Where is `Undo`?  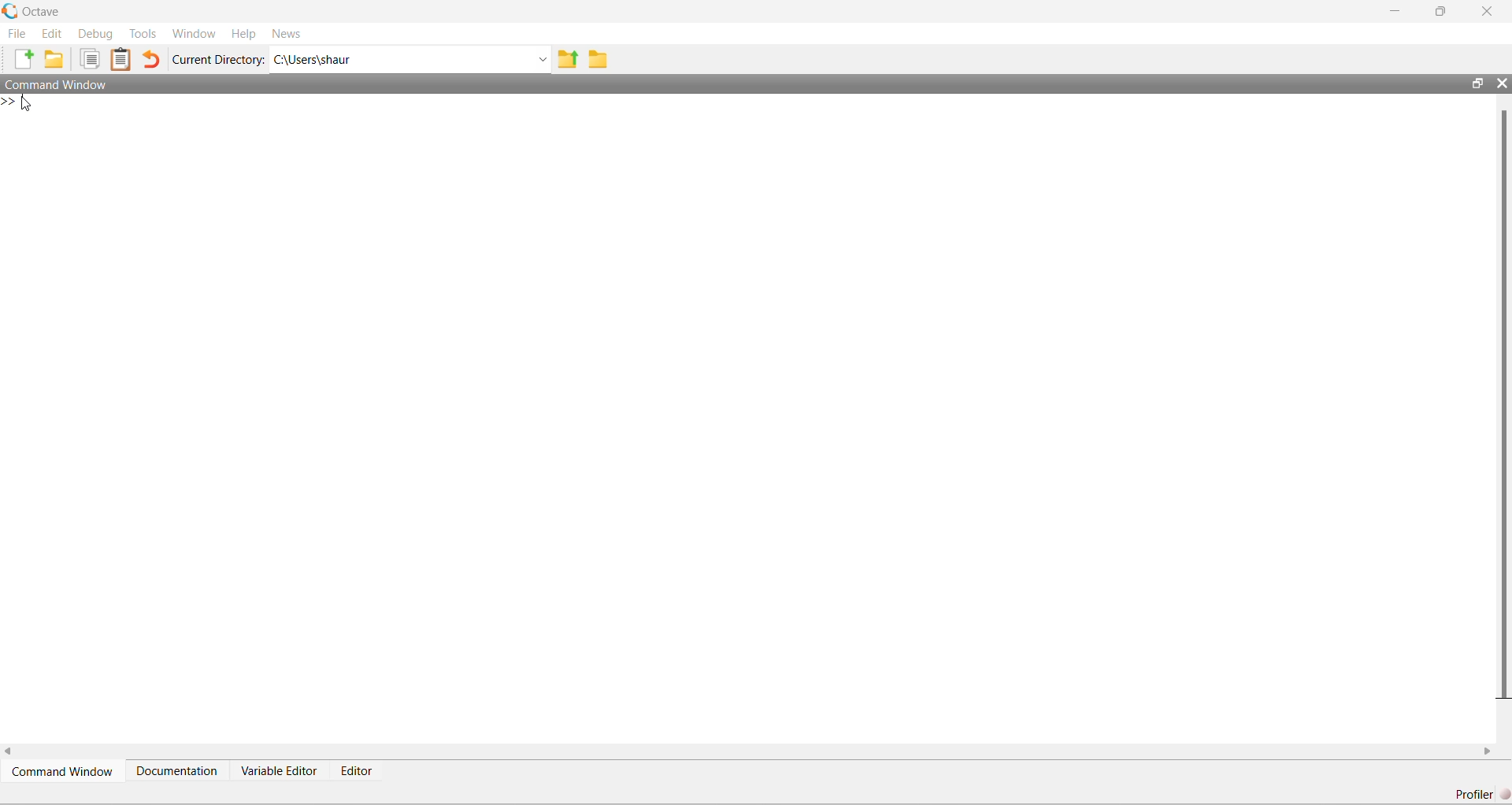
Undo is located at coordinates (150, 59).